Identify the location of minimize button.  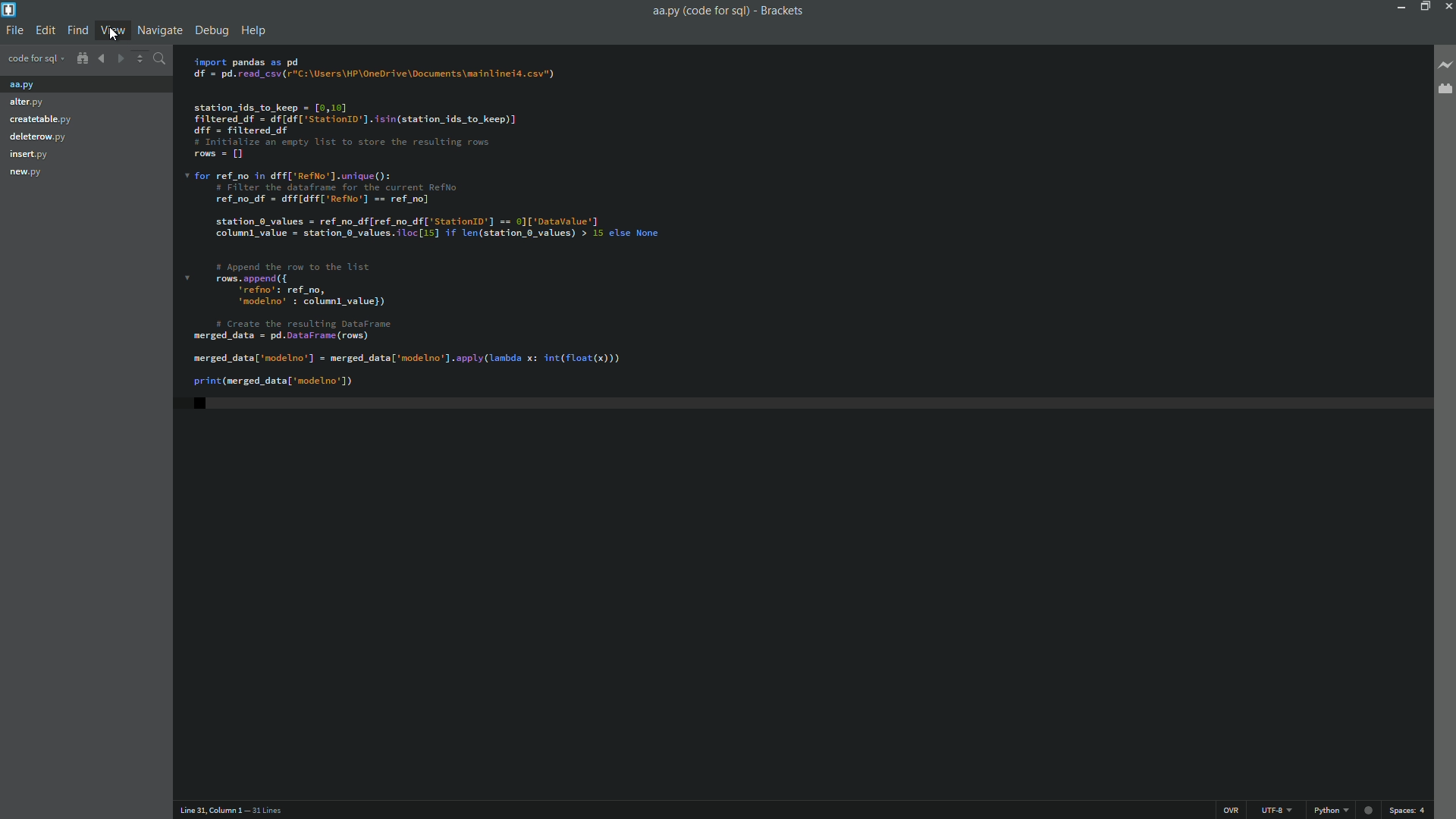
(1396, 7).